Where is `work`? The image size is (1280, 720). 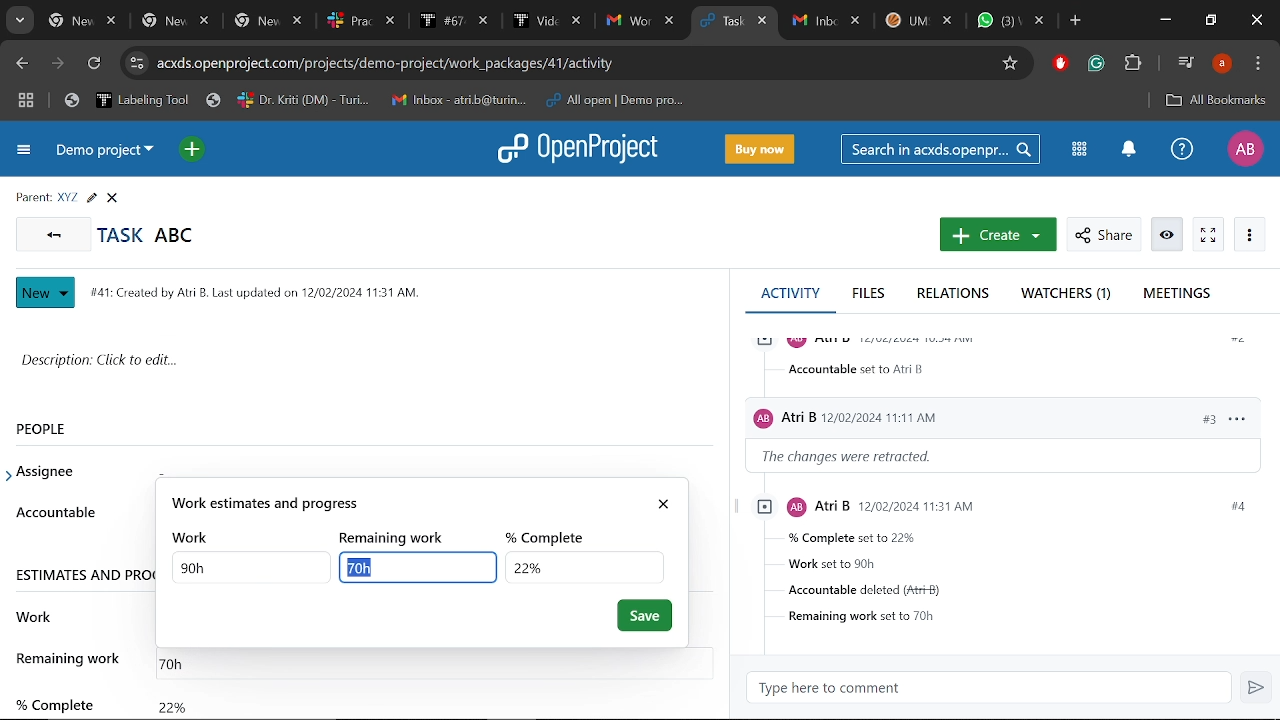 work is located at coordinates (35, 614).